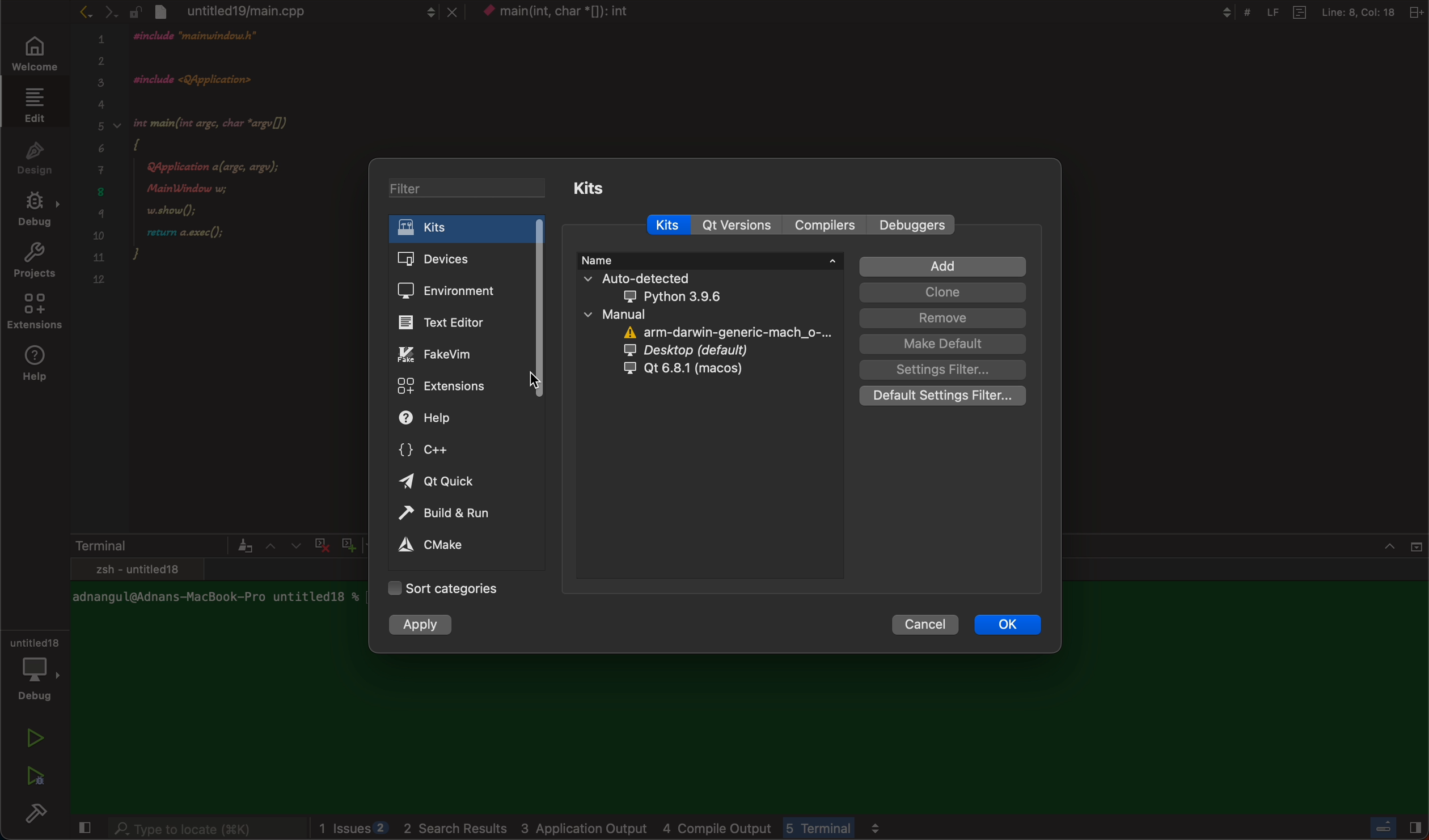 This screenshot has height=840, width=1429. Describe the element at coordinates (1007, 625) in the screenshot. I see `ok` at that location.